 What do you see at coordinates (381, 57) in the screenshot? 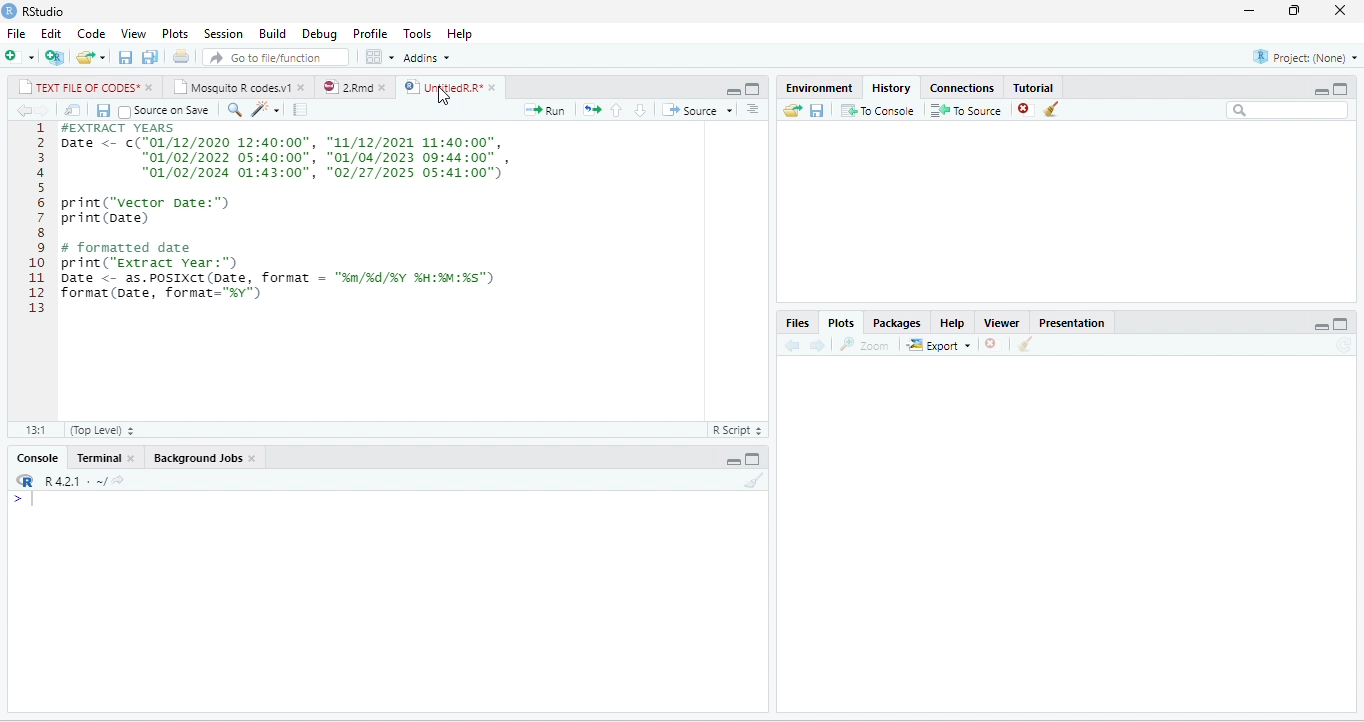
I see `options` at bounding box center [381, 57].